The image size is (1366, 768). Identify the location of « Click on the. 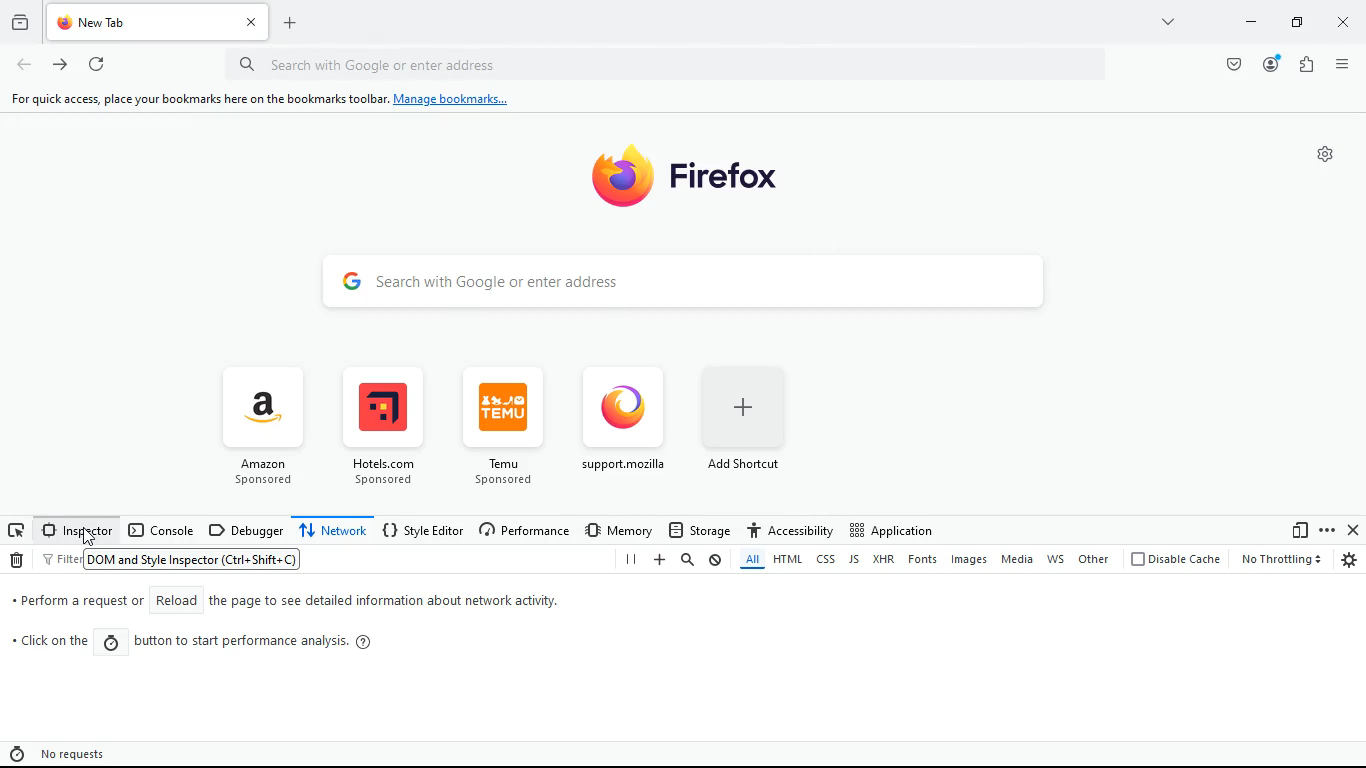
(52, 645).